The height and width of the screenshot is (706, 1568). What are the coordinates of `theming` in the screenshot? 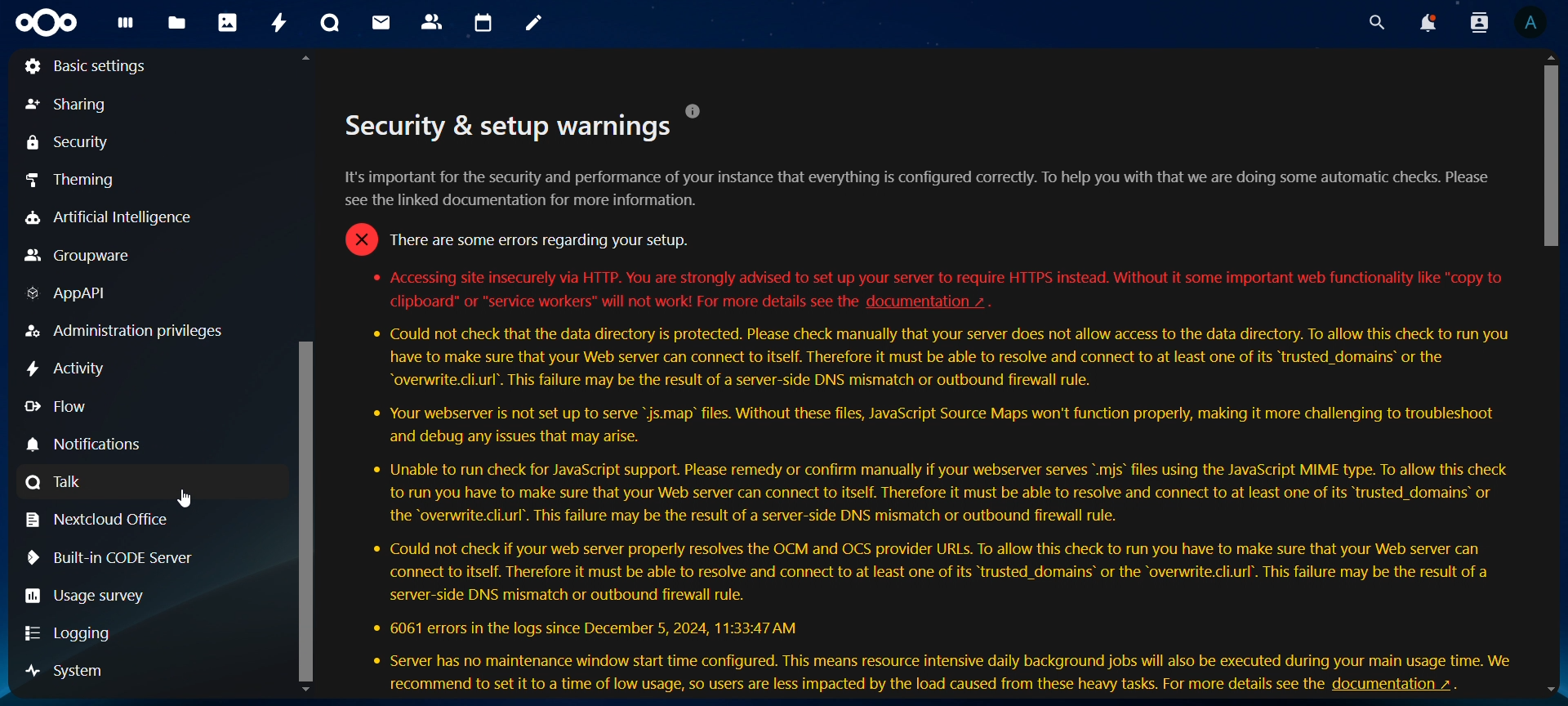 It's located at (72, 181).